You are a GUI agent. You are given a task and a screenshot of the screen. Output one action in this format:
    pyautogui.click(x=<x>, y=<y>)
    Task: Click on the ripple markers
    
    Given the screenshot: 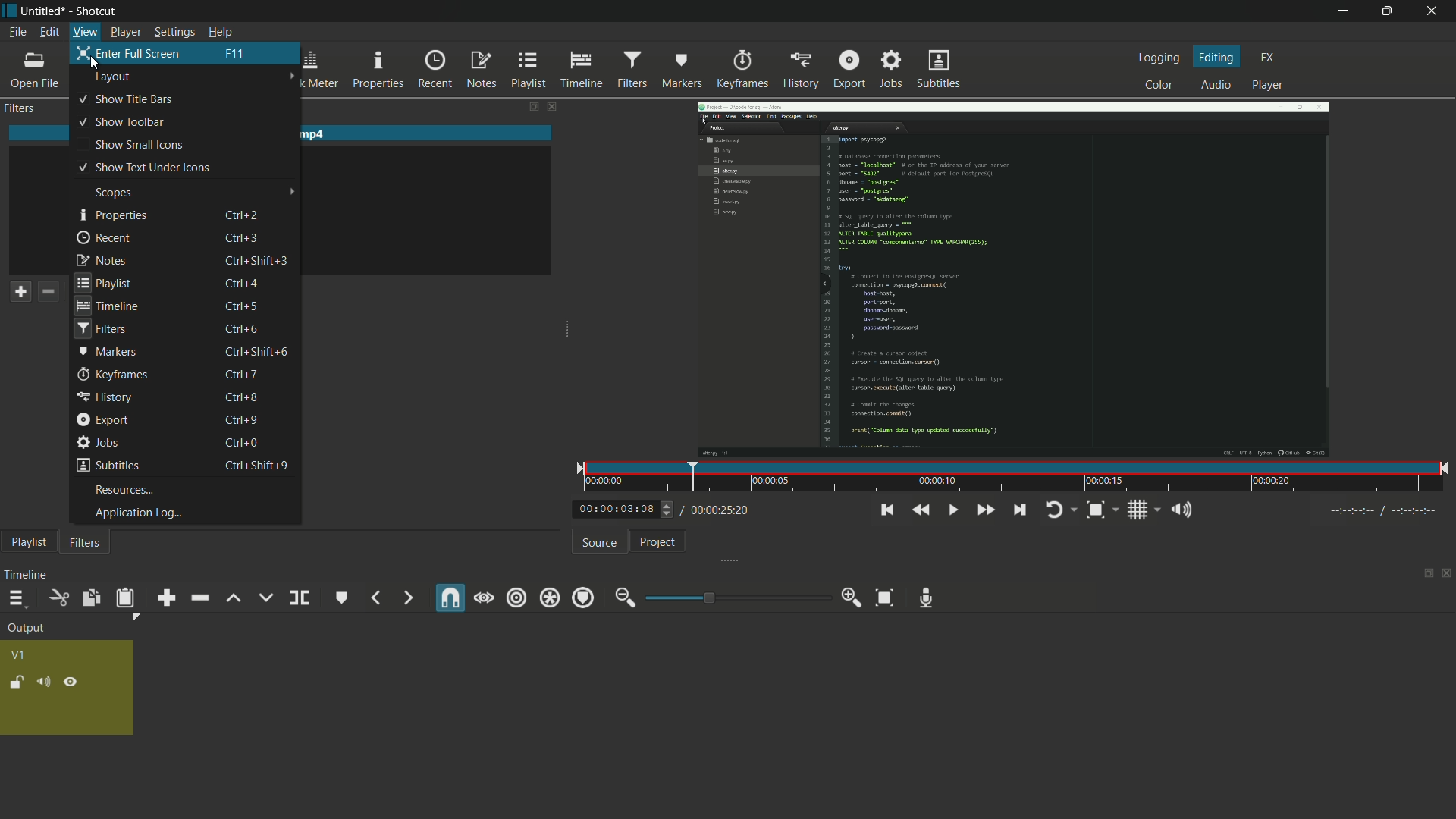 What is the action you would take?
    pyautogui.click(x=581, y=598)
    